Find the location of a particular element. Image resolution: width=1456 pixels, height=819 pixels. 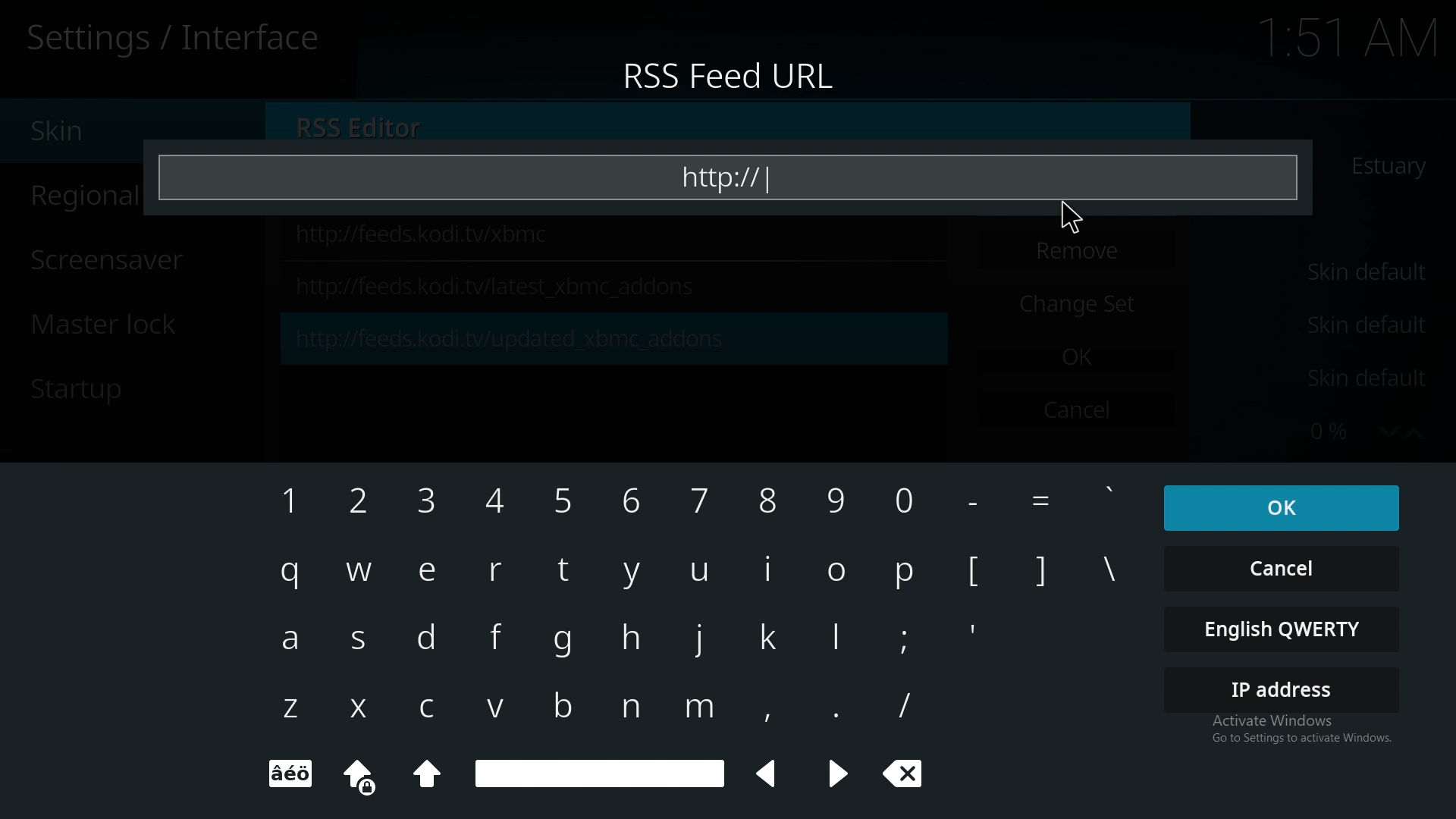

3 is located at coordinates (435, 504).